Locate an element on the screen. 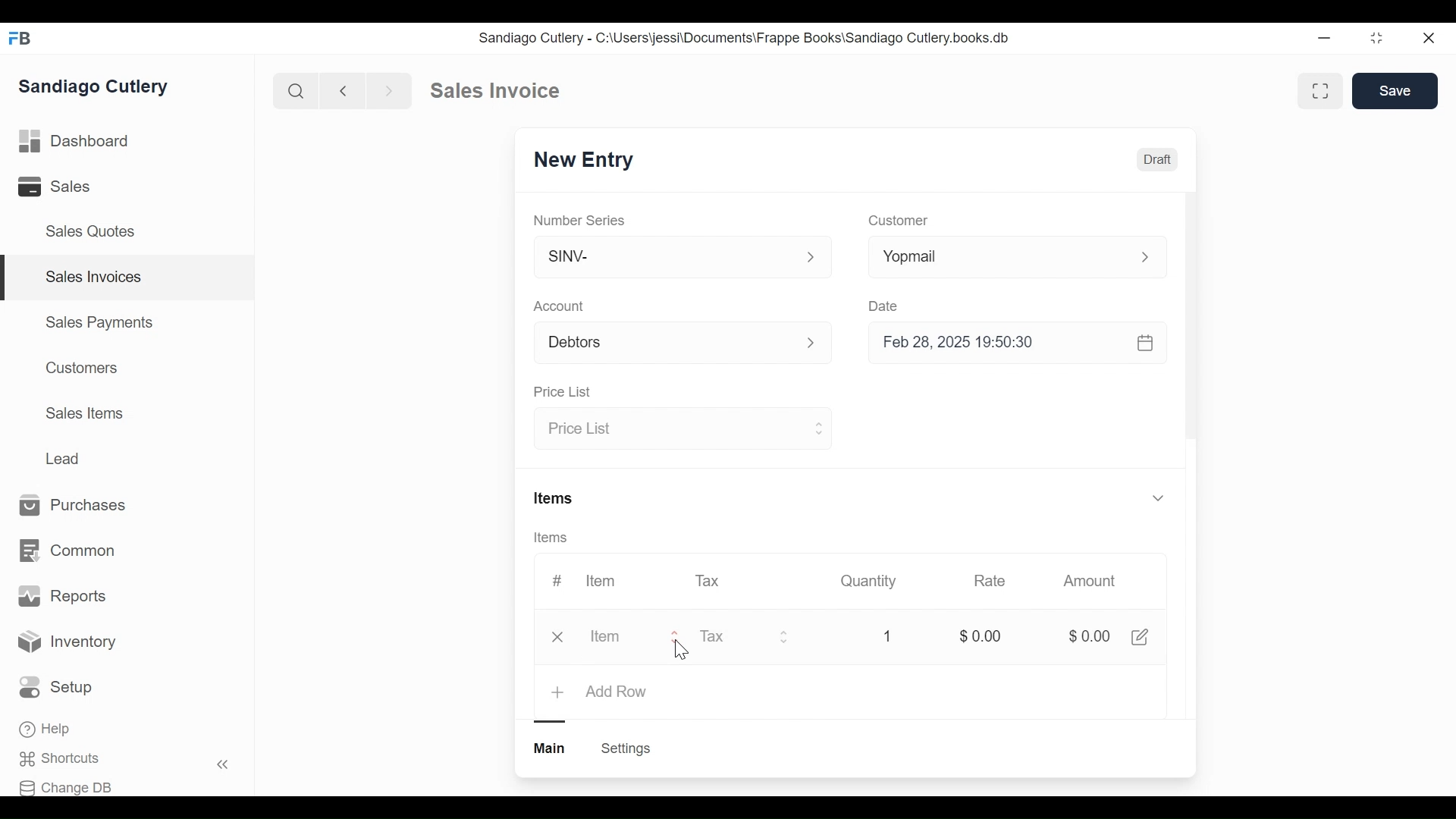 This screenshot has height=819, width=1456. Sales Items is located at coordinates (84, 412).